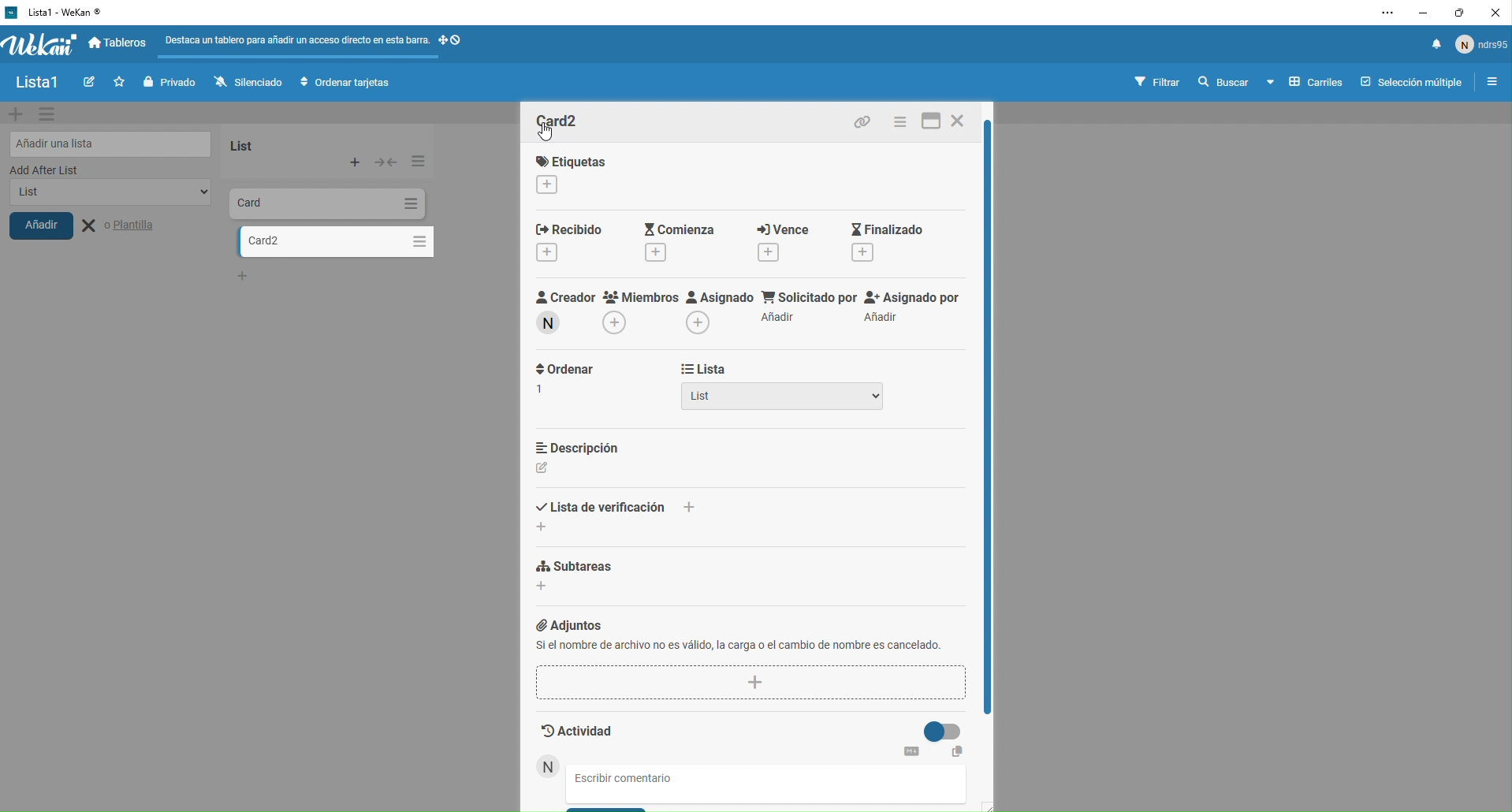 The height and width of the screenshot is (812, 1512). I want to click on Recibido, so click(575, 245).